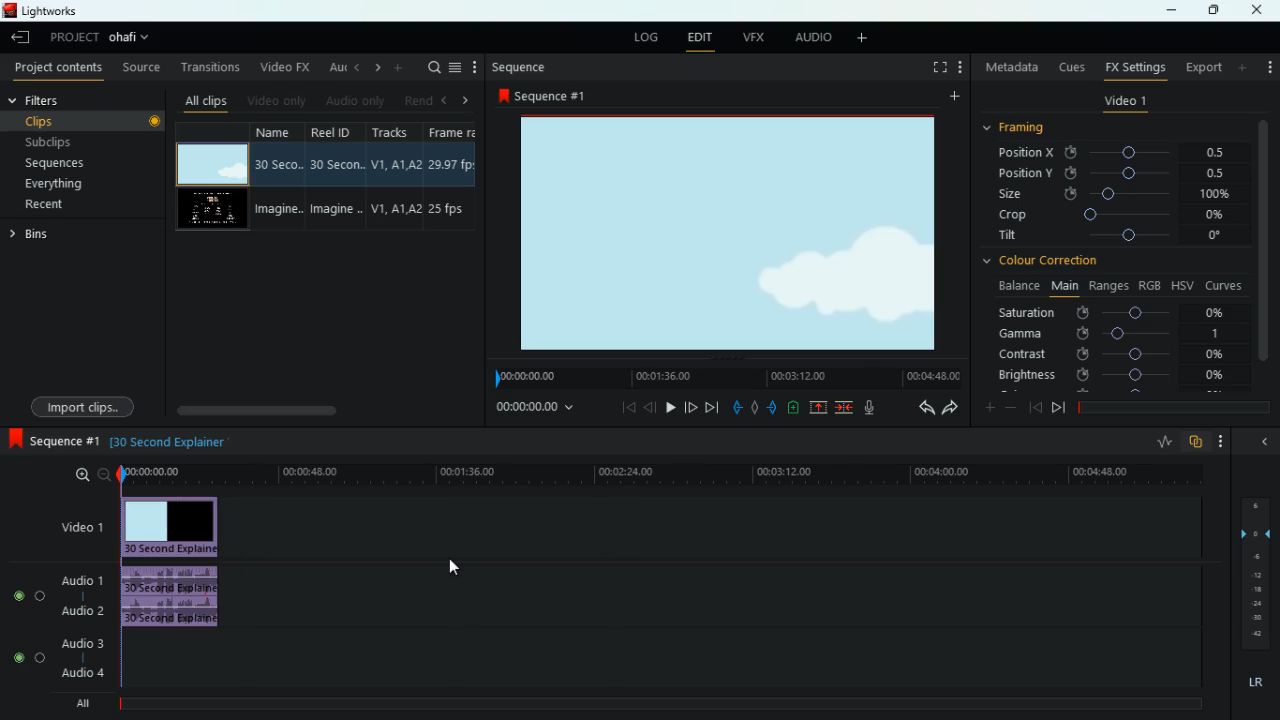 The image size is (1280, 720). What do you see at coordinates (667, 705) in the screenshot?
I see `Timeline` at bounding box center [667, 705].